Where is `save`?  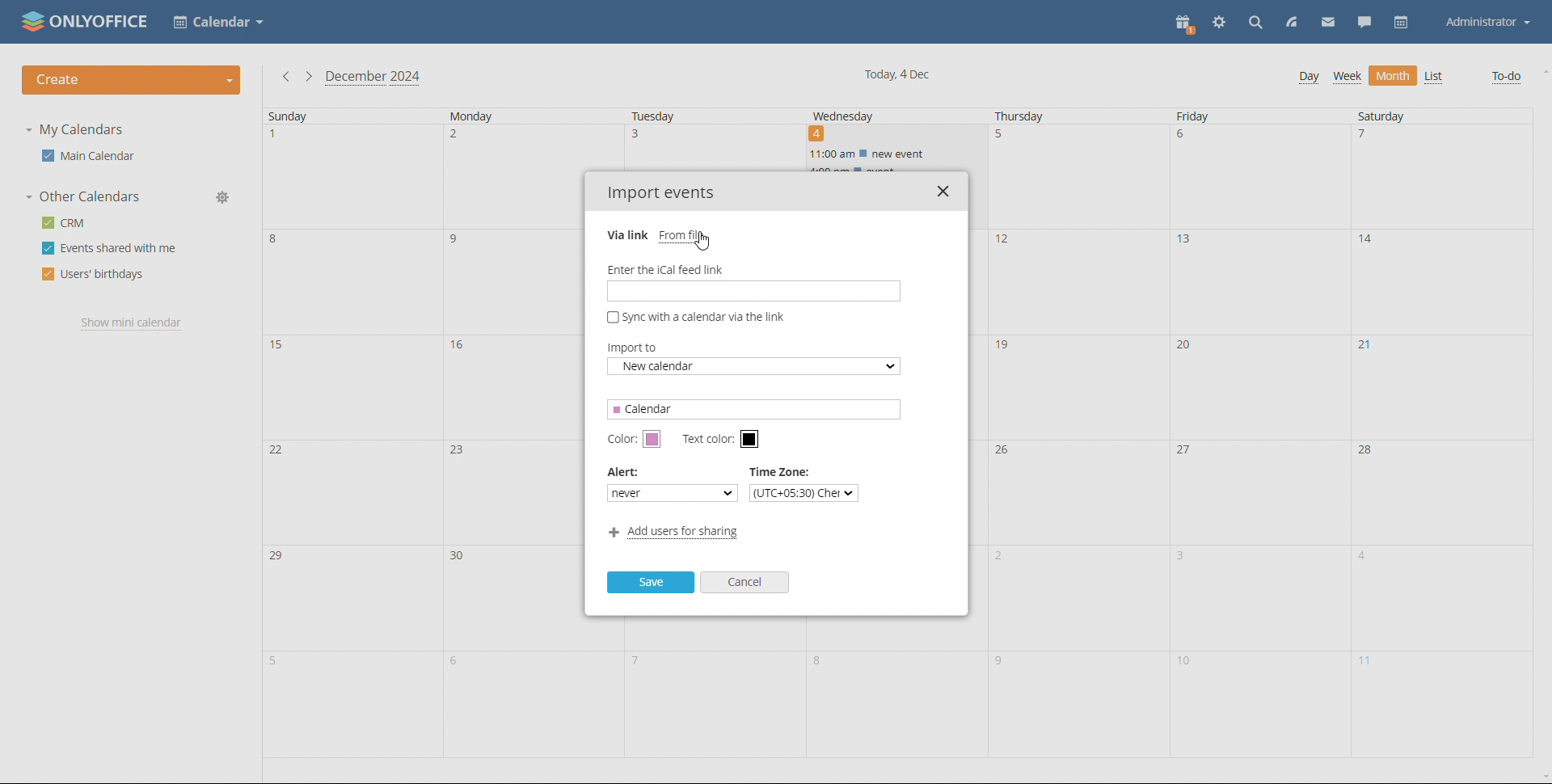 save is located at coordinates (651, 583).